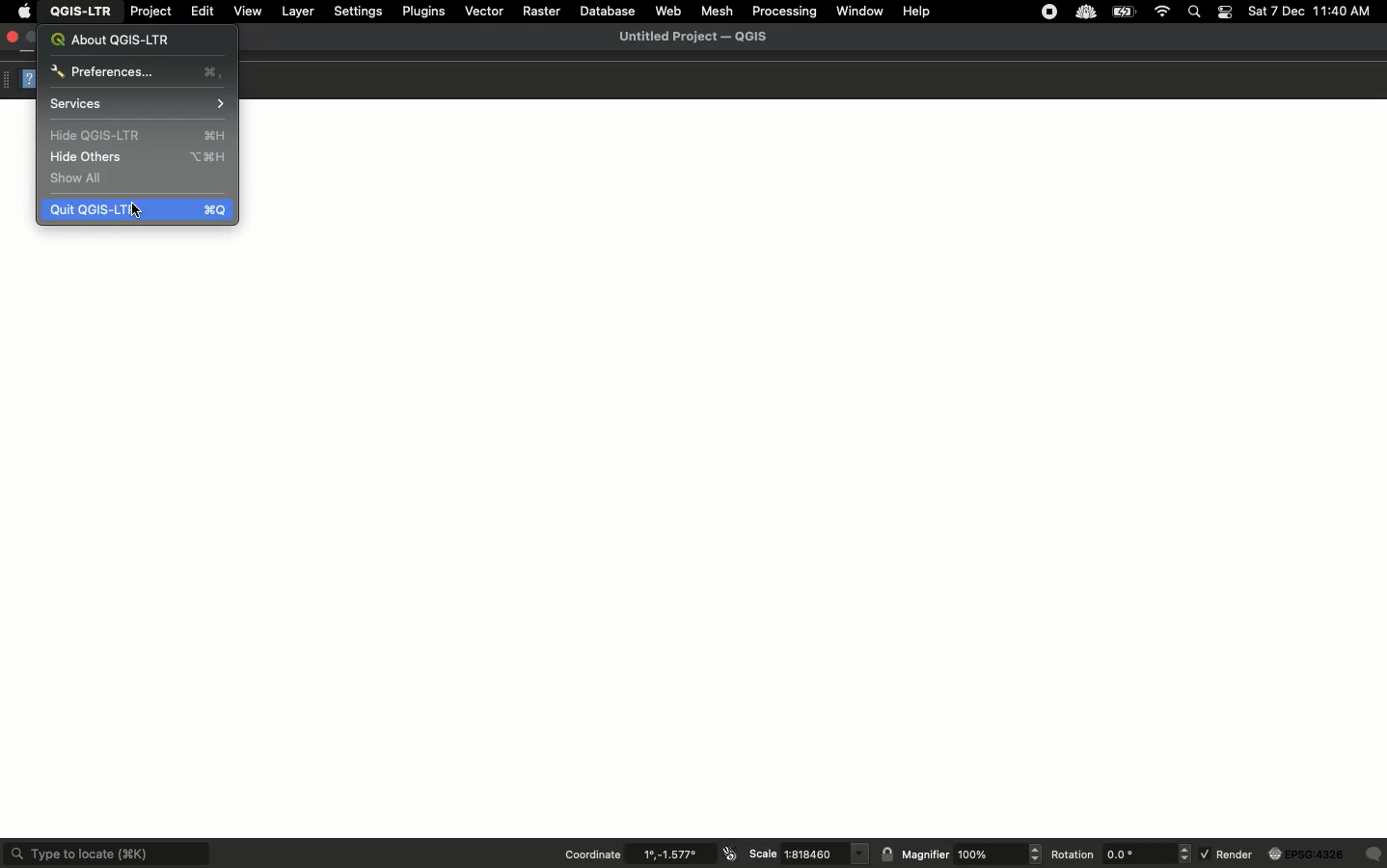 The width and height of the screenshot is (1387, 868). I want to click on Hide, so click(140, 136).